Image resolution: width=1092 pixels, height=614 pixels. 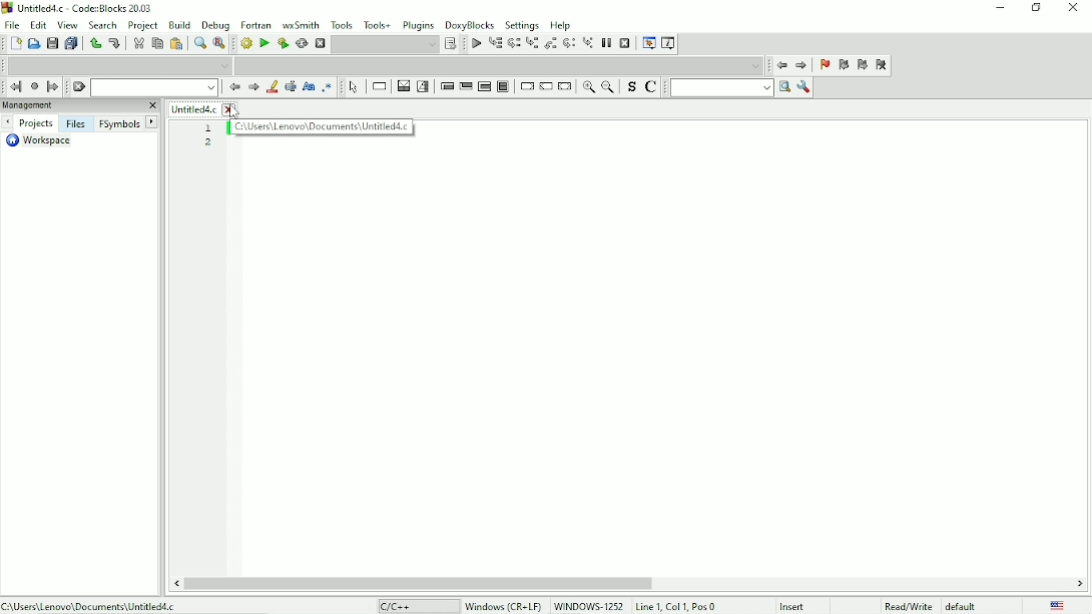 I want to click on save, so click(x=52, y=43).